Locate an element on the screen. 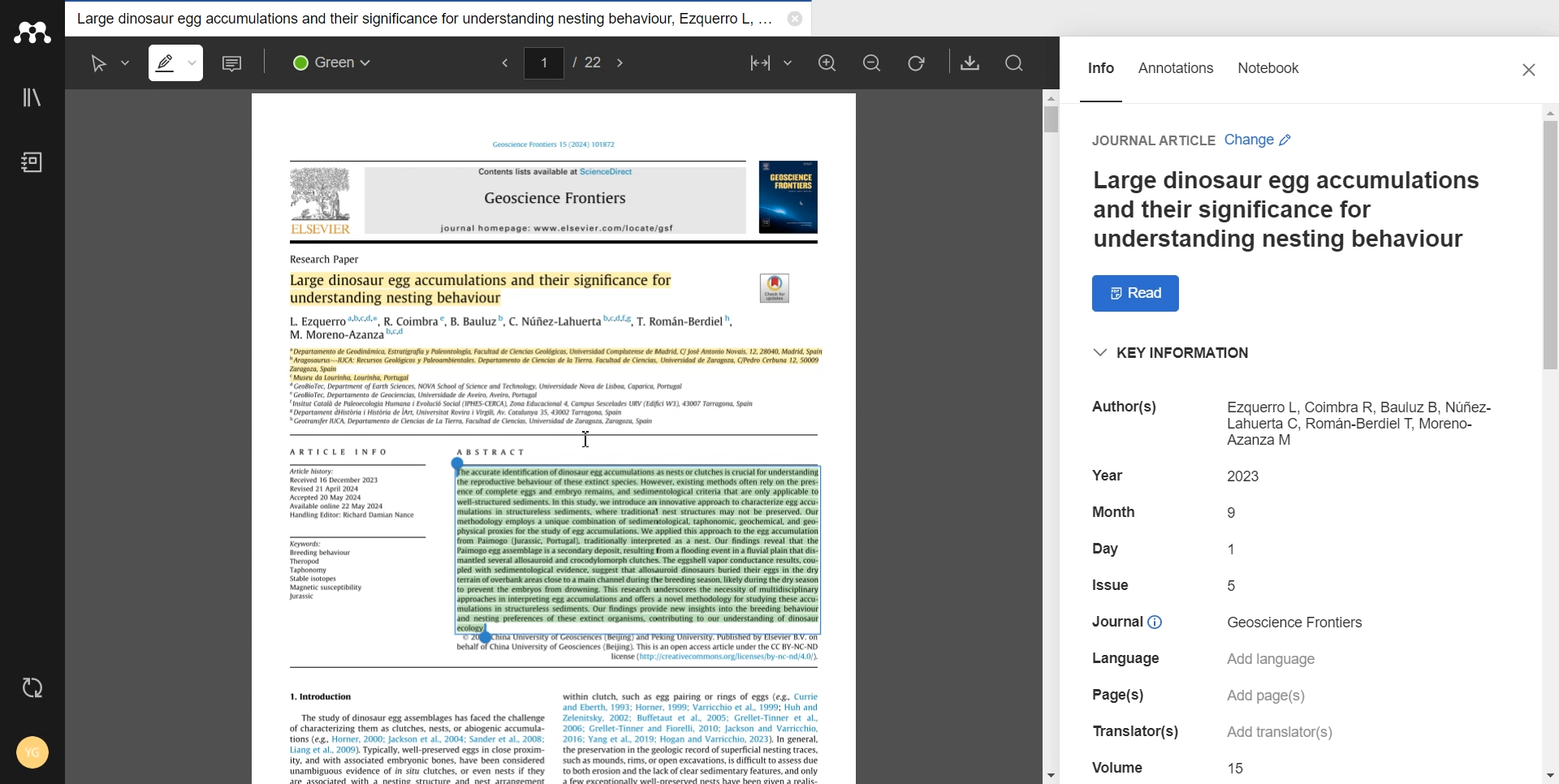  text is located at coordinates (1111, 584).